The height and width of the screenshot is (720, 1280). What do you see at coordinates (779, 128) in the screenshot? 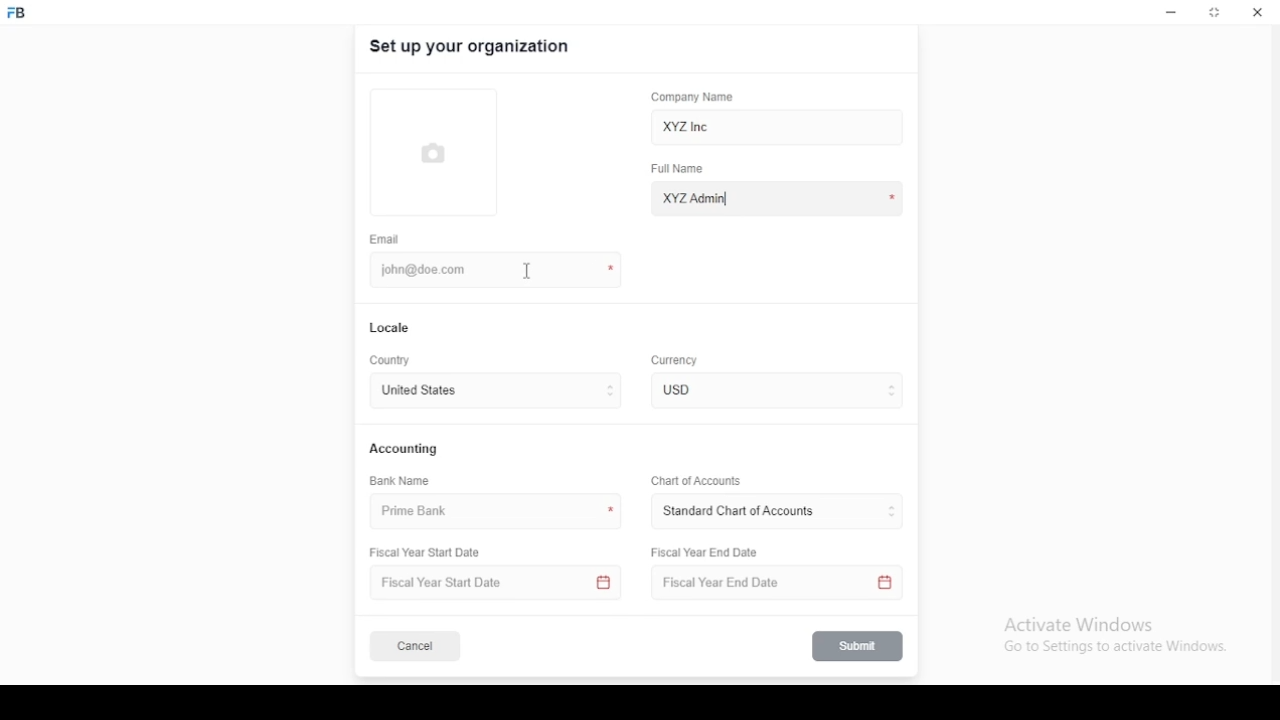
I see `XYZ Inc` at bounding box center [779, 128].